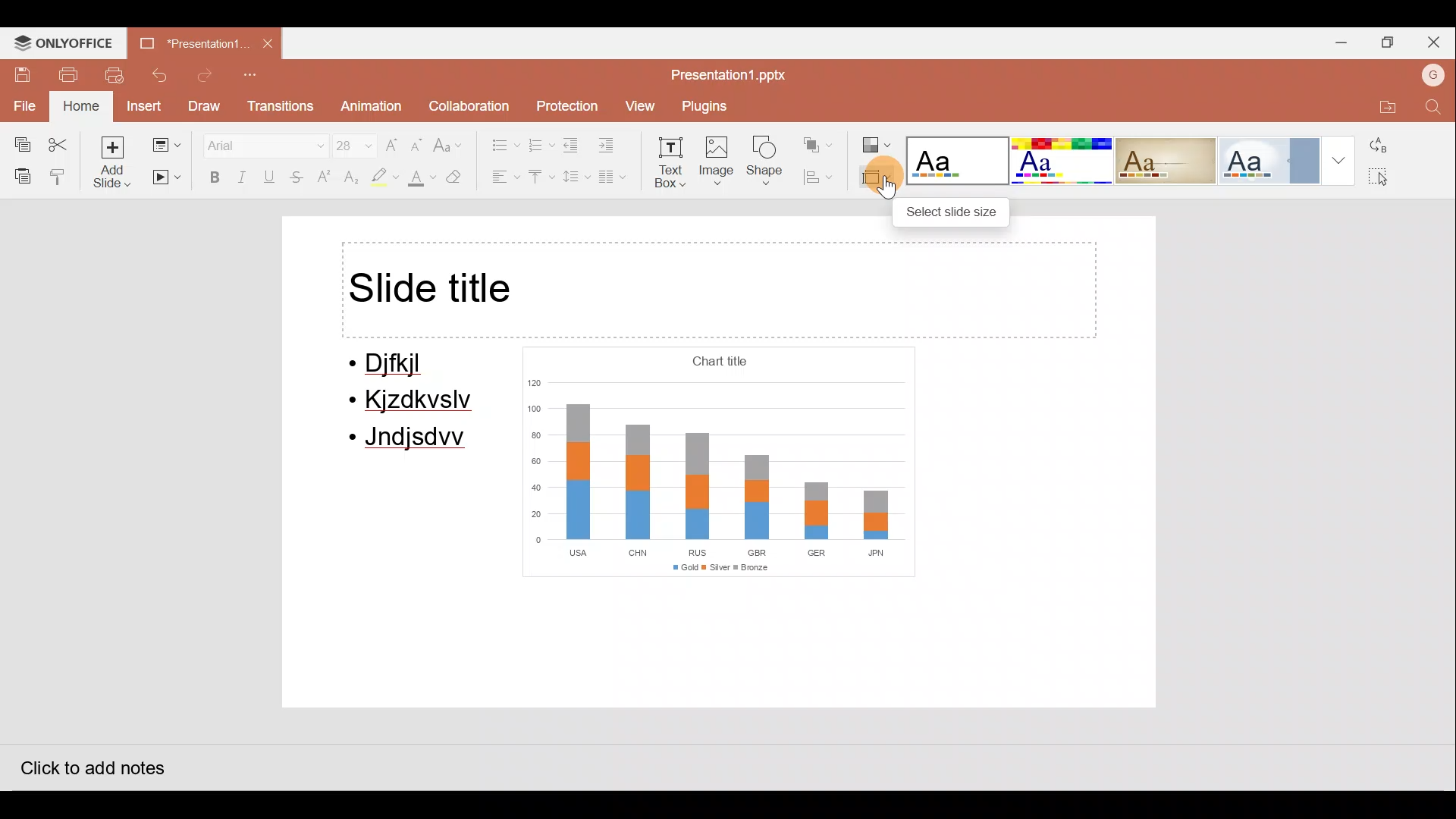  What do you see at coordinates (1382, 103) in the screenshot?
I see `Open file location` at bounding box center [1382, 103].